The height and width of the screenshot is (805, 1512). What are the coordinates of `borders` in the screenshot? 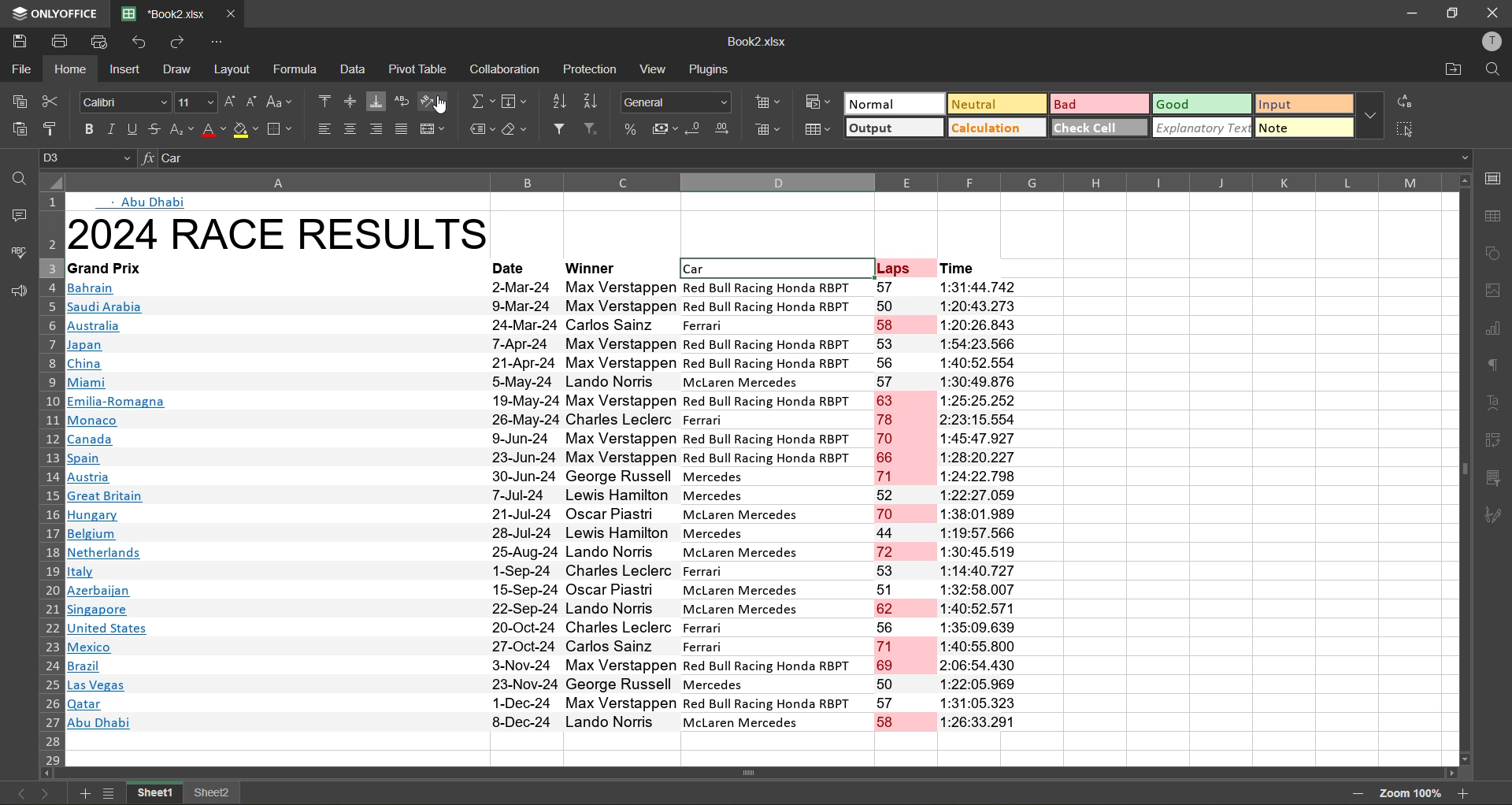 It's located at (281, 132).